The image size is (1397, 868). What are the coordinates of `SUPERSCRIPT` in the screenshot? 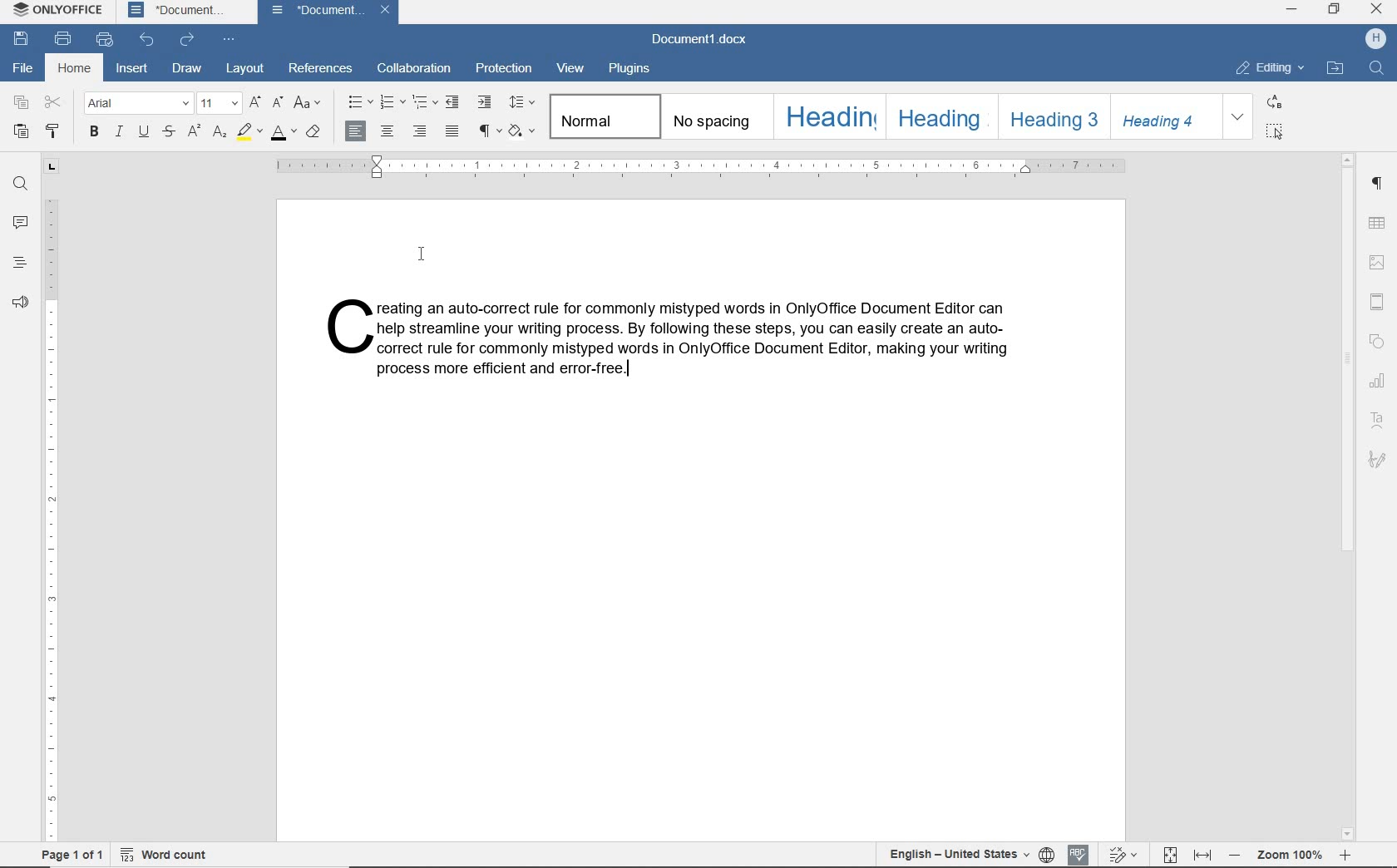 It's located at (195, 132).